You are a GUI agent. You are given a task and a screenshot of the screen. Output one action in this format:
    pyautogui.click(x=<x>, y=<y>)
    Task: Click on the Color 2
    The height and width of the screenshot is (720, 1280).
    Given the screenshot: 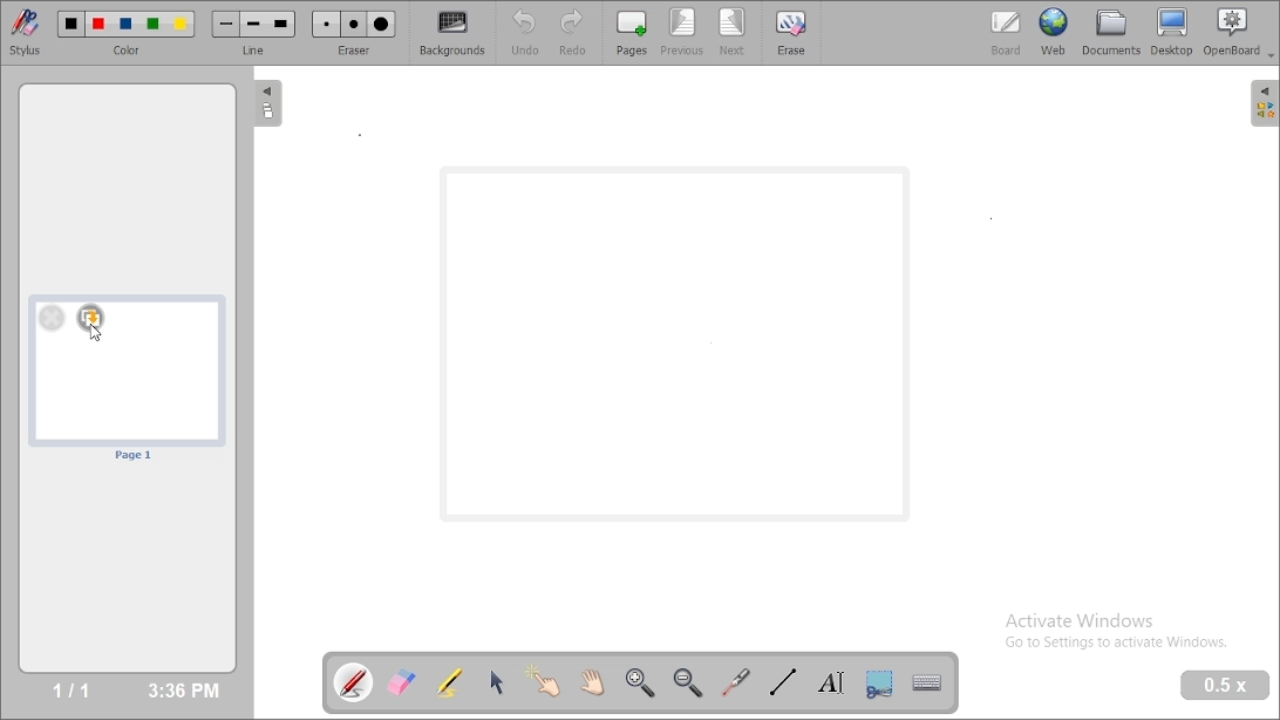 What is the action you would take?
    pyautogui.click(x=99, y=25)
    